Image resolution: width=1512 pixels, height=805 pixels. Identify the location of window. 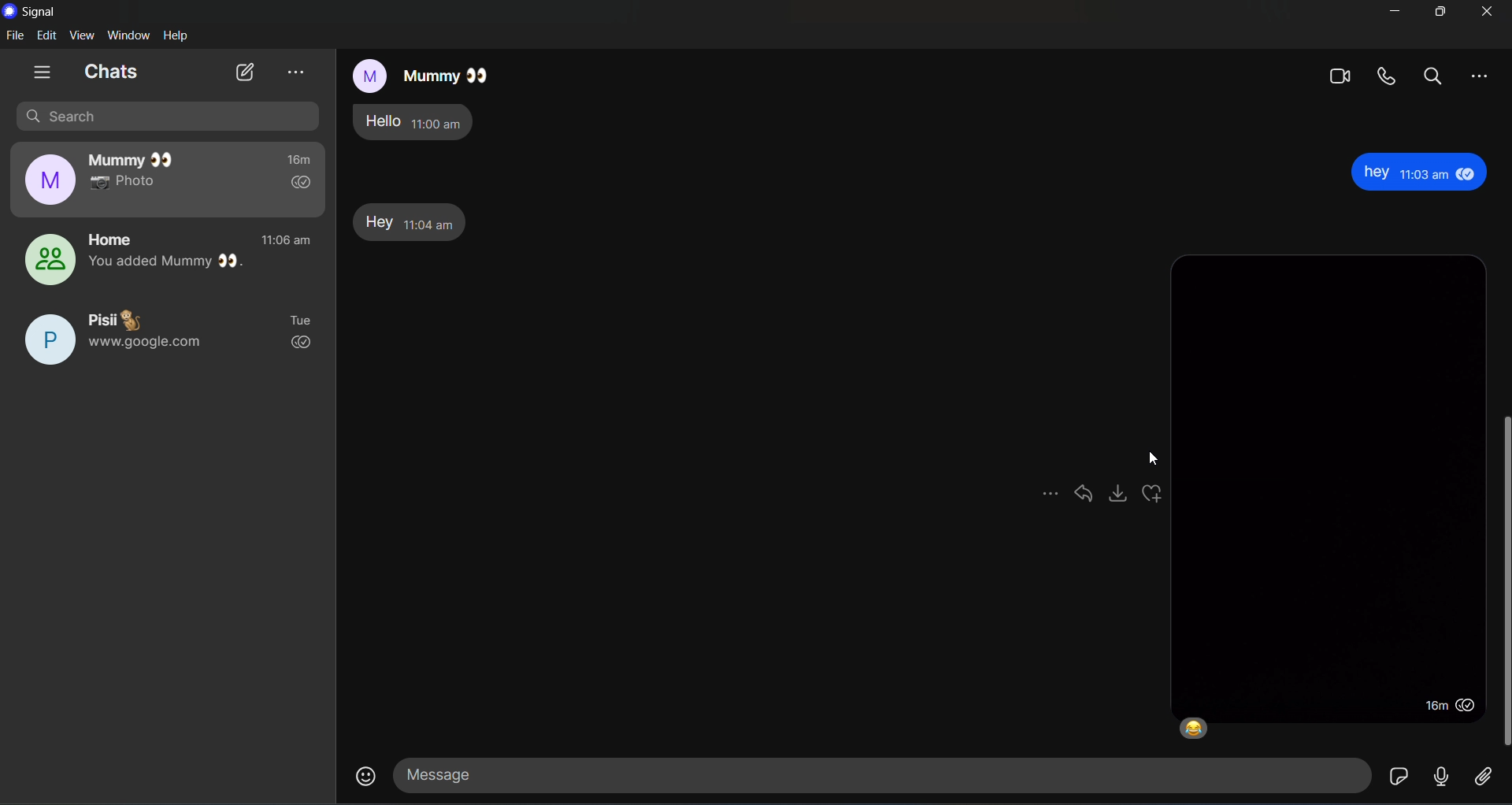
(132, 35).